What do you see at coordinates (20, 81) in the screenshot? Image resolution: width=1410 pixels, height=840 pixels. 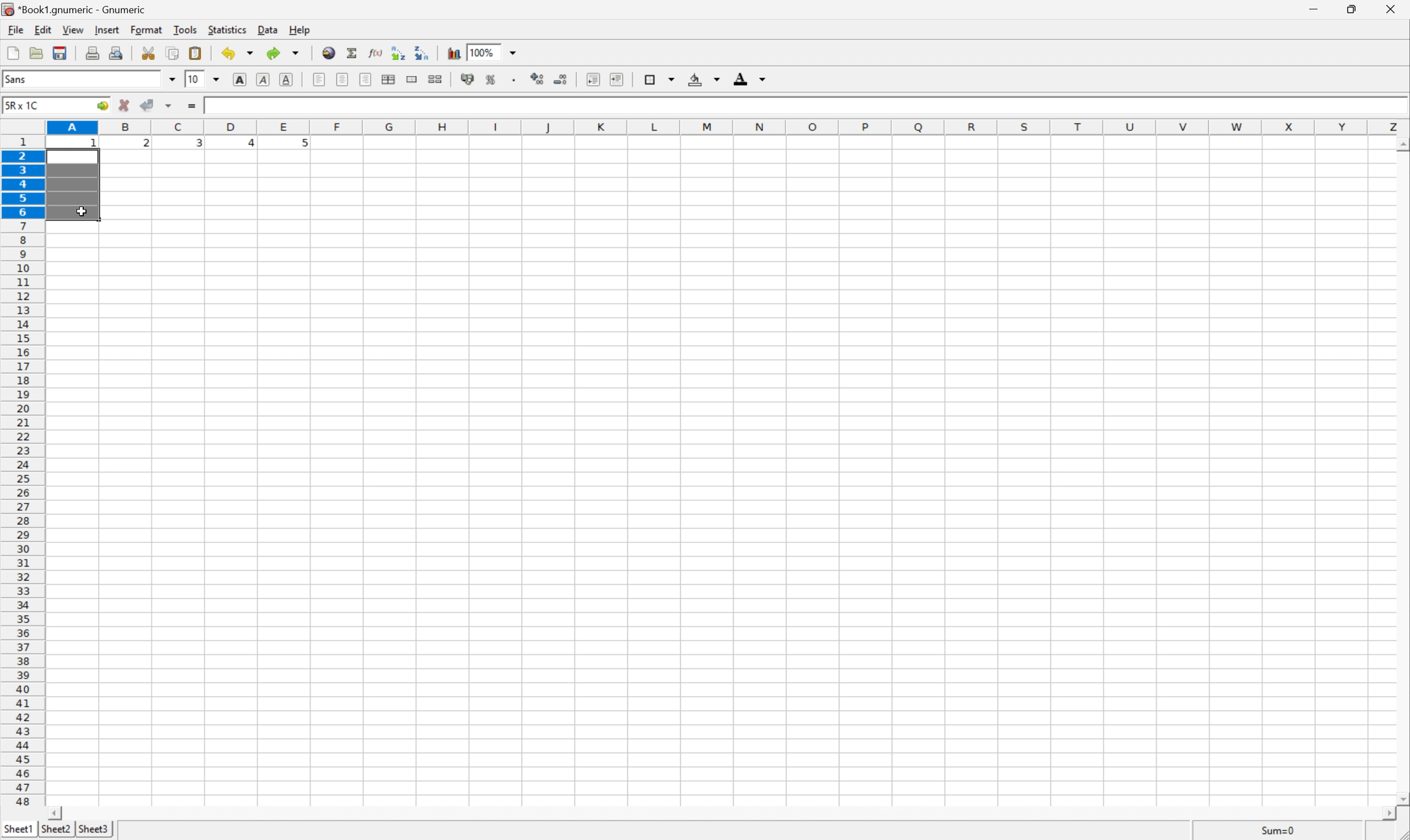 I see `font` at bounding box center [20, 81].